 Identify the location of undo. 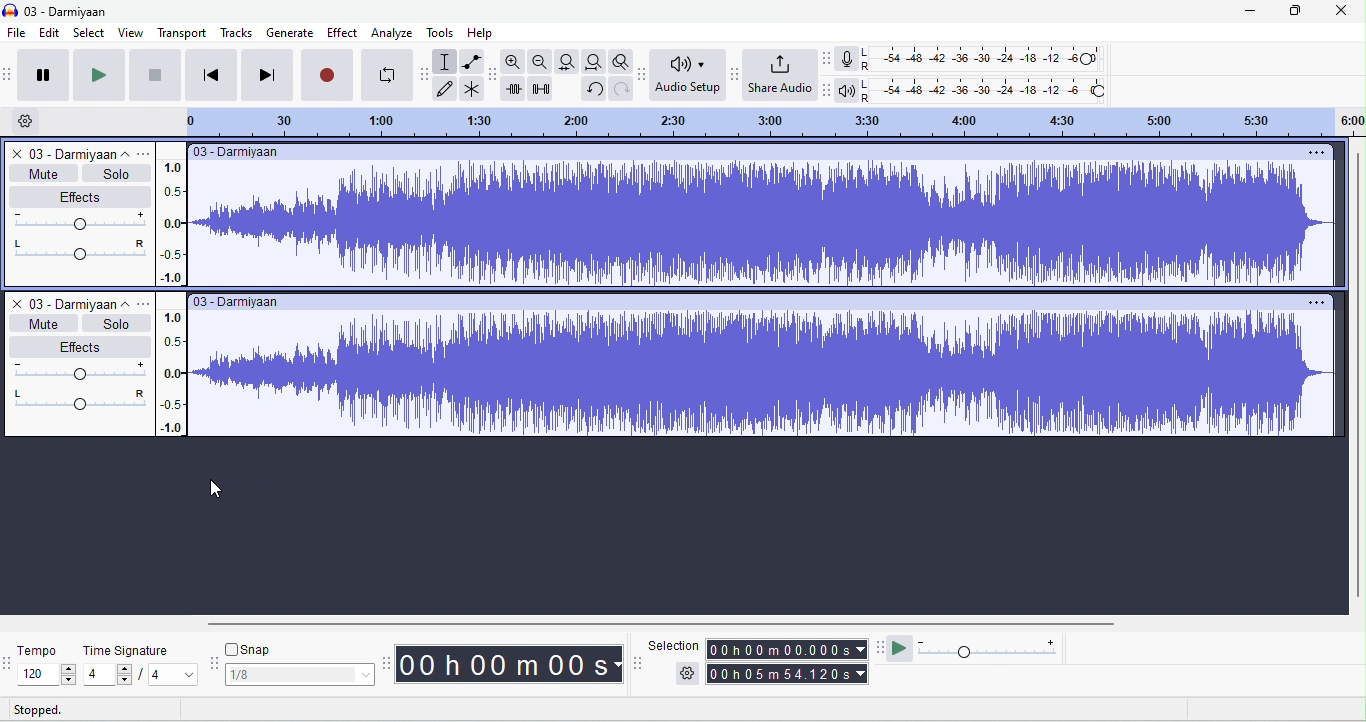
(595, 89).